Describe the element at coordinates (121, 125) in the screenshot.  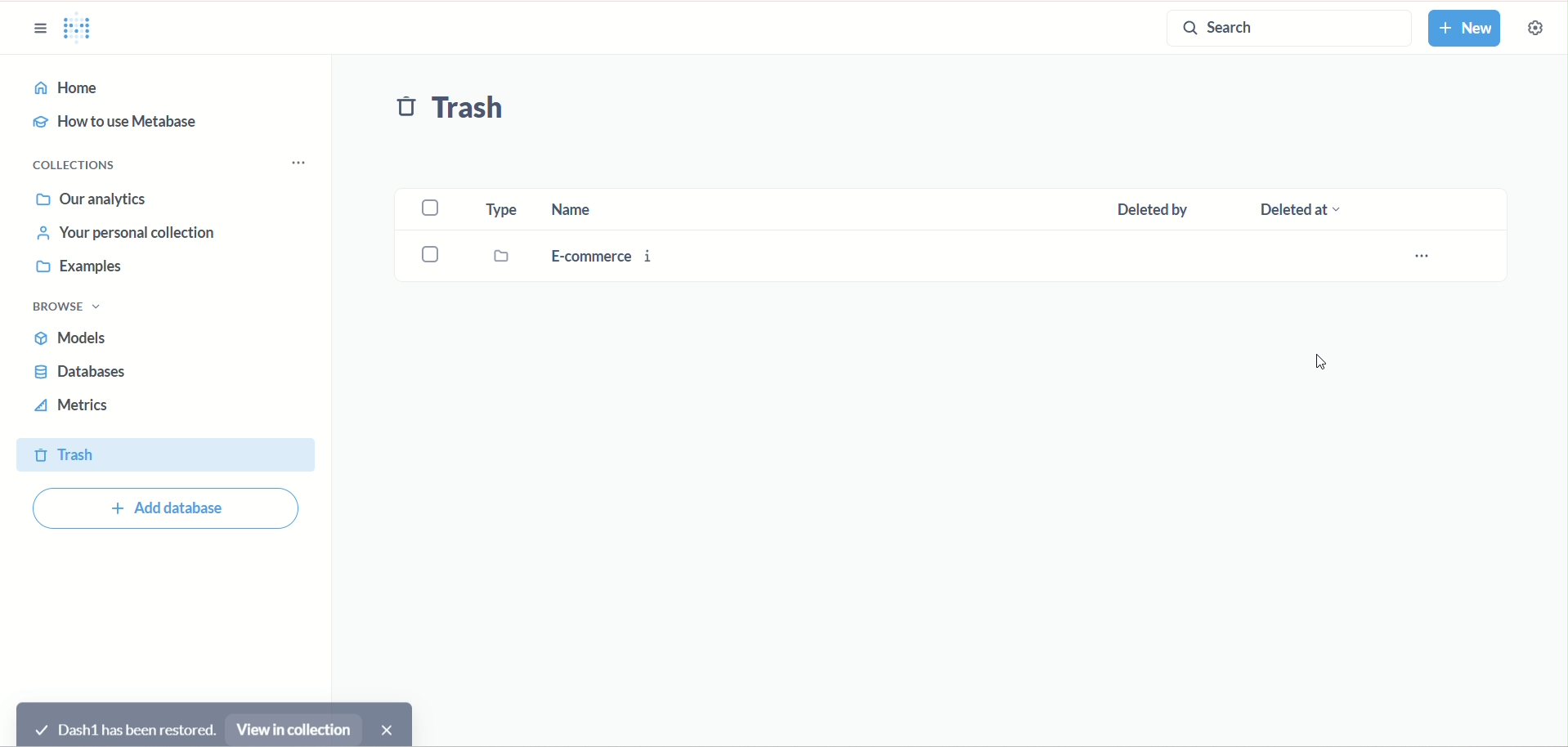
I see `how to use metabase` at that location.